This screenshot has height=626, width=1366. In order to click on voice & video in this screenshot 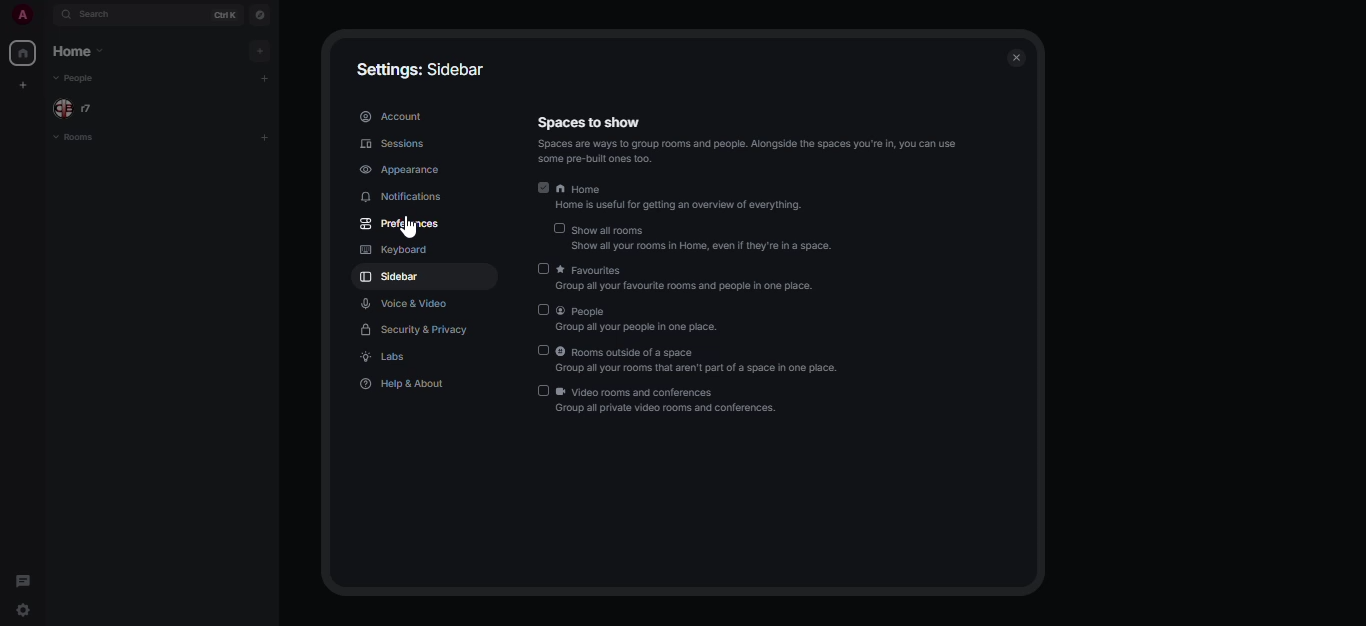, I will do `click(406, 304)`.